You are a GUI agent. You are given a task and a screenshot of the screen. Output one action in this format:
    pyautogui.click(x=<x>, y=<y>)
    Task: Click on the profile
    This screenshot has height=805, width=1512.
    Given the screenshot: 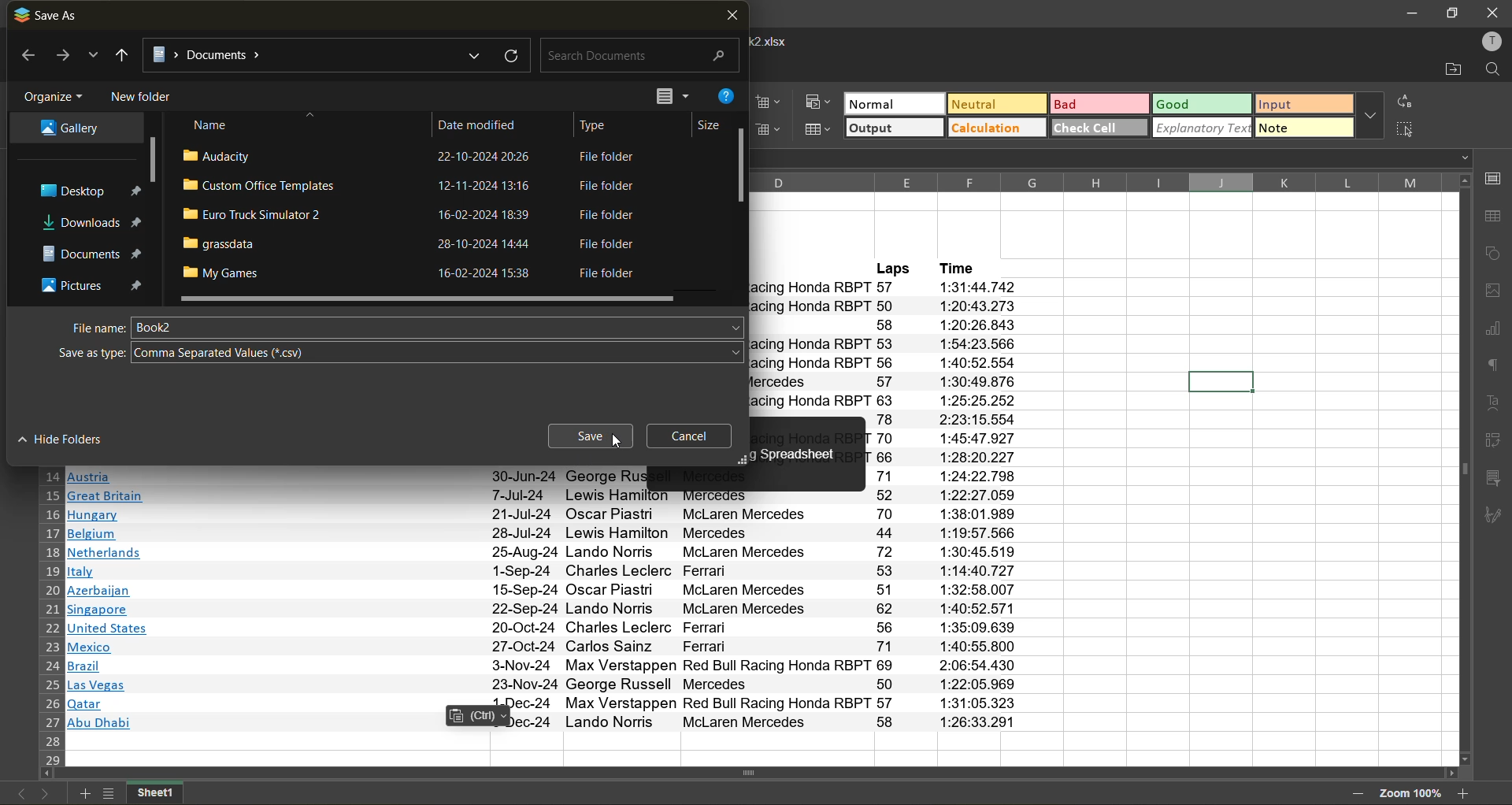 What is the action you would take?
    pyautogui.click(x=1492, y=39)
    